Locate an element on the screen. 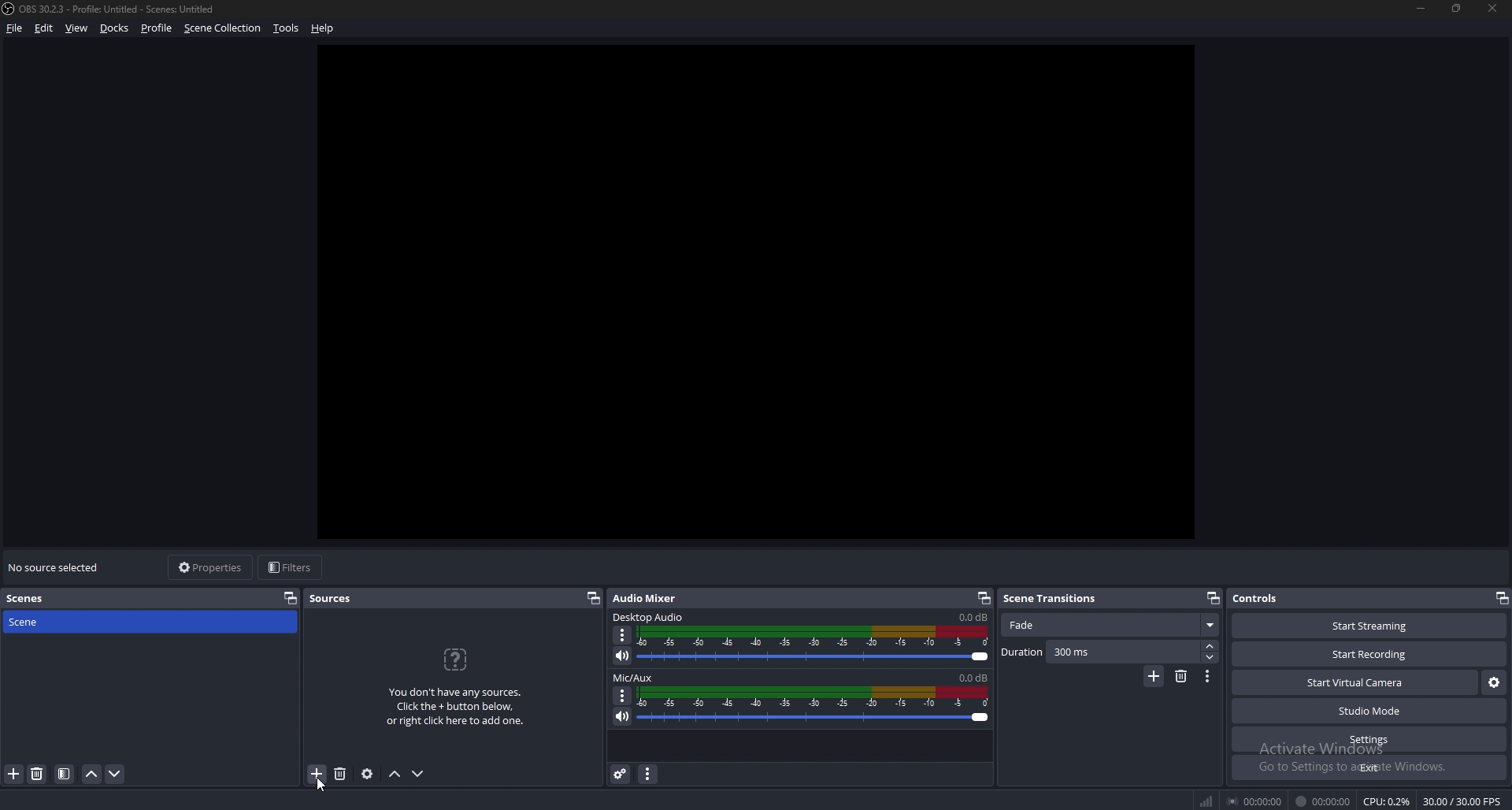 Image resolution: width=1512 pixels, height=810 pixels. Pop out is located at coordinates (984, 599).